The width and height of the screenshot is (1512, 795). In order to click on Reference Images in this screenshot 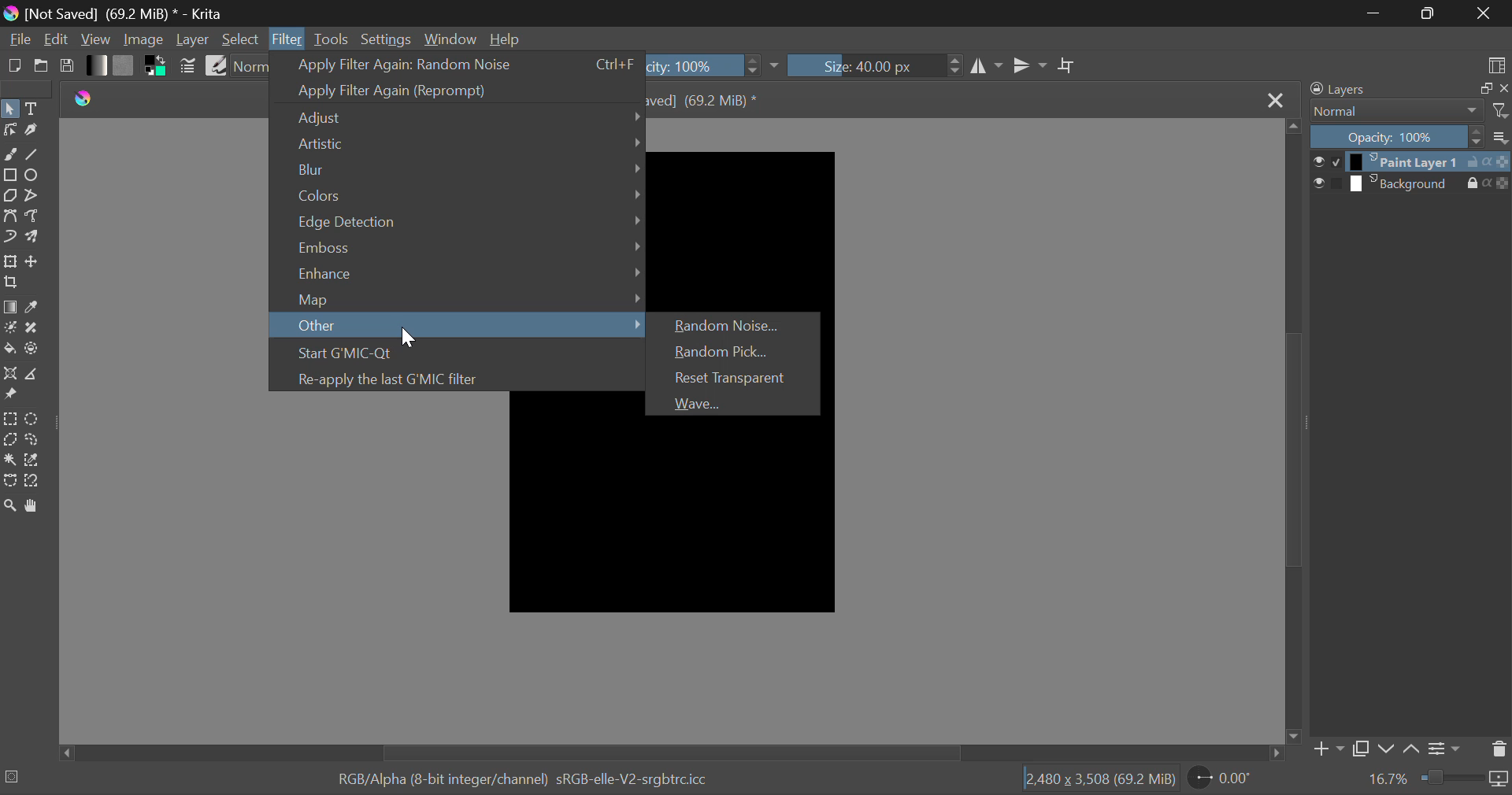, I will do `click(9, 397)`.